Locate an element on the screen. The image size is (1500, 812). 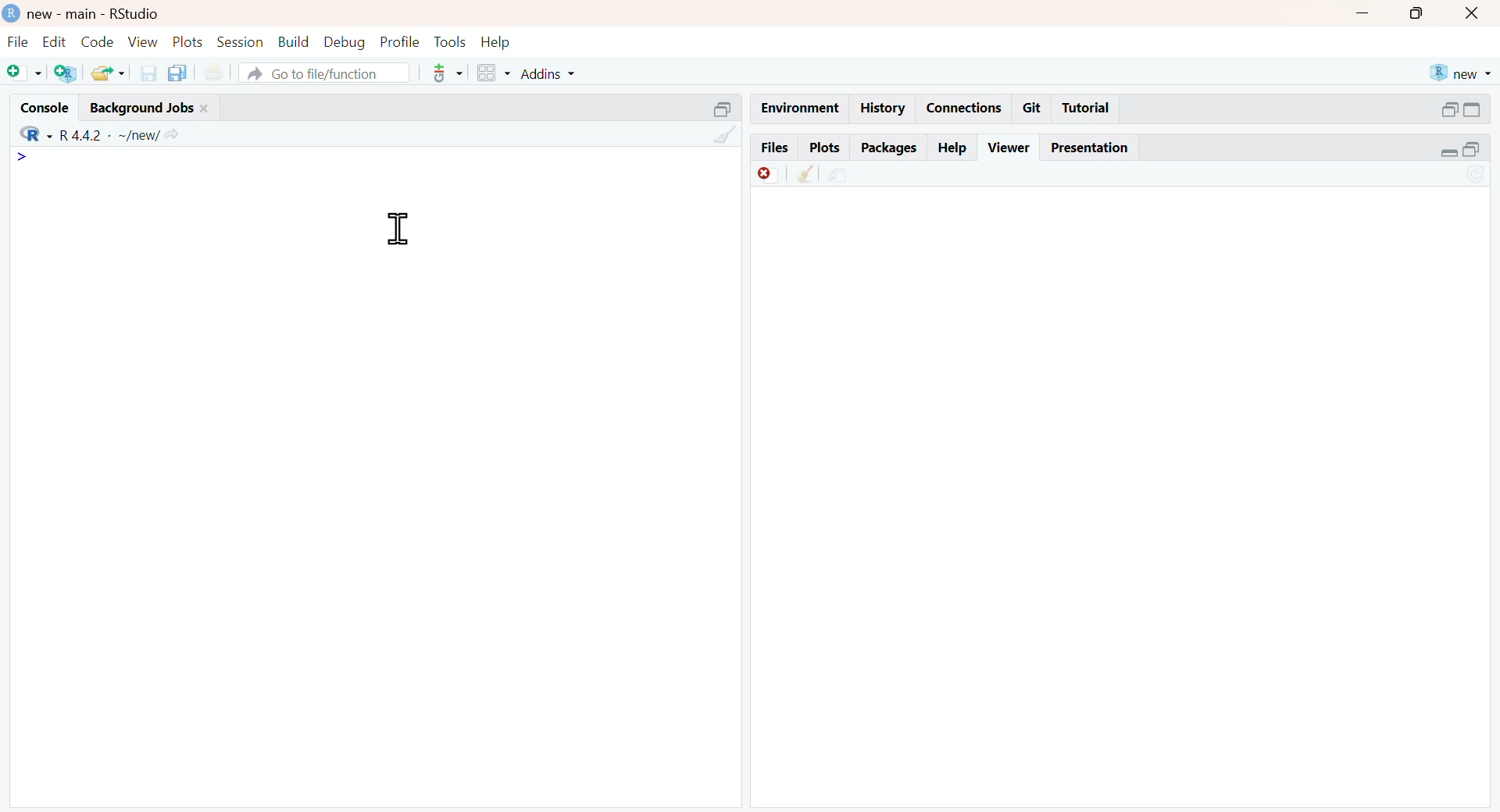
Print documents is located at coordinates (217, 69).